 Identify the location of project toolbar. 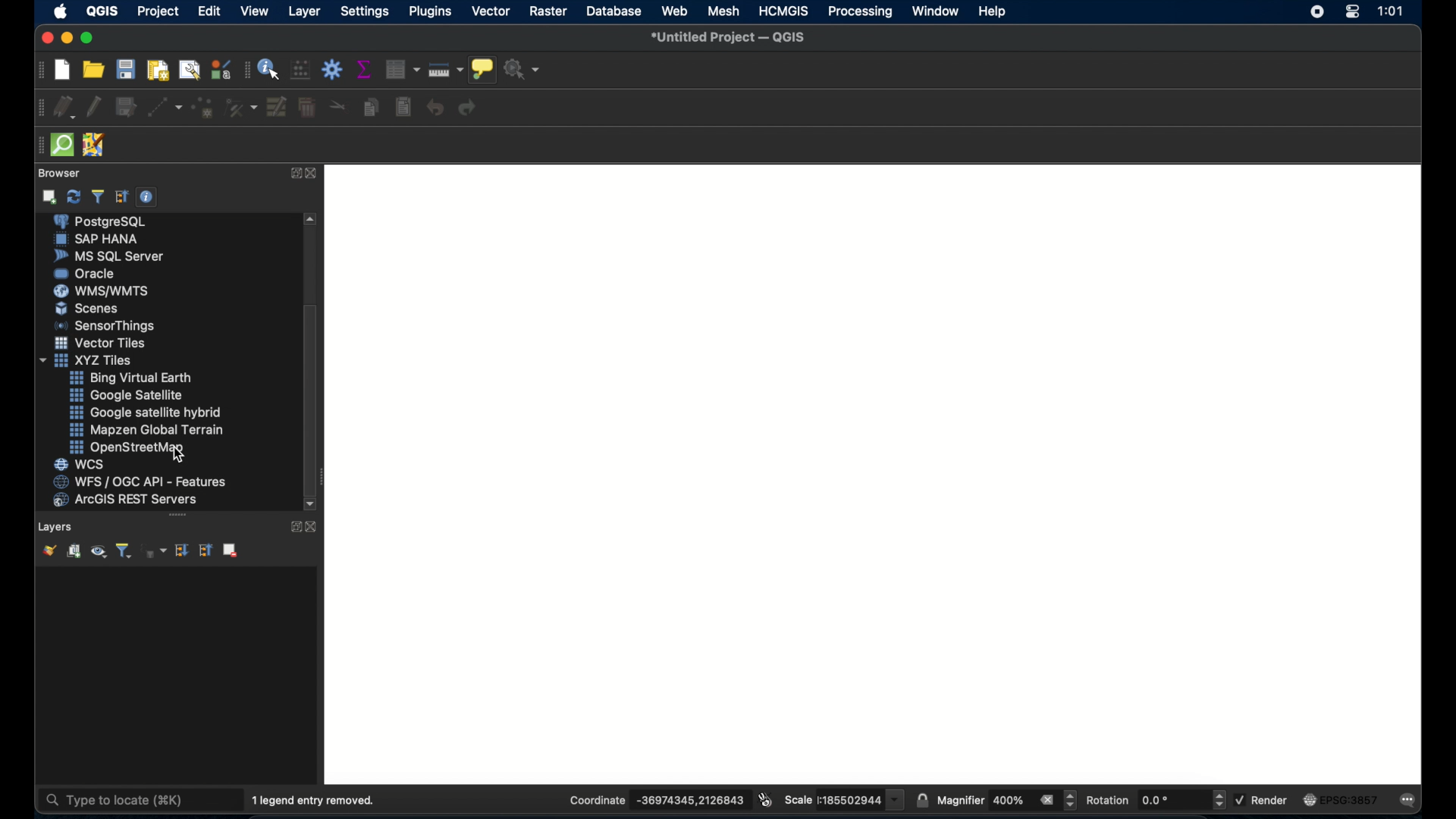
(38, 73).